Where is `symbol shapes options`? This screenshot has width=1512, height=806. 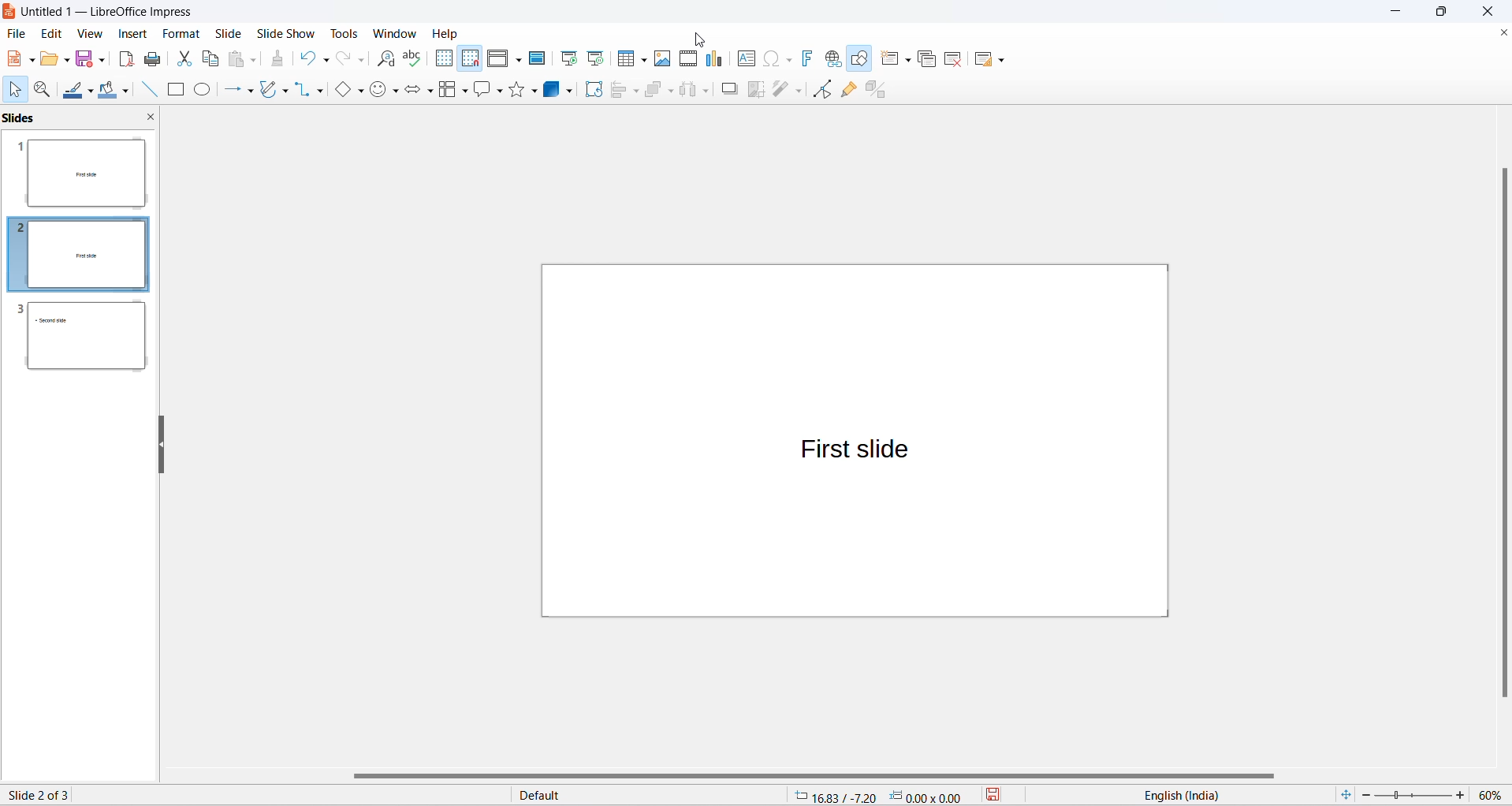 symbol shapes options is located at coordinates (396, 92).